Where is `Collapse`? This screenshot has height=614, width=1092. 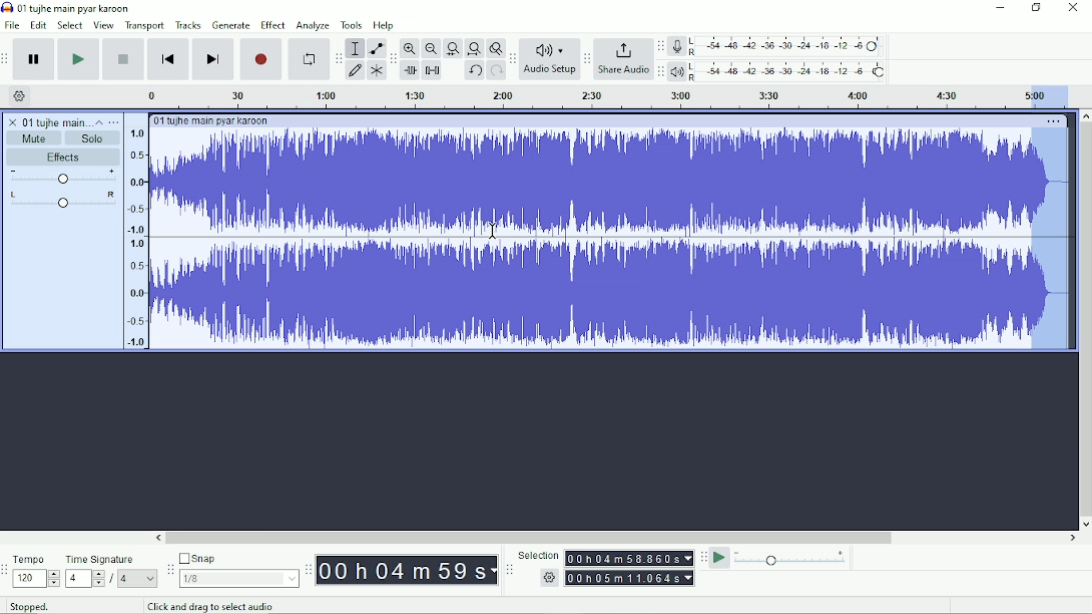 Collapse is located at coordinates (101, 123).